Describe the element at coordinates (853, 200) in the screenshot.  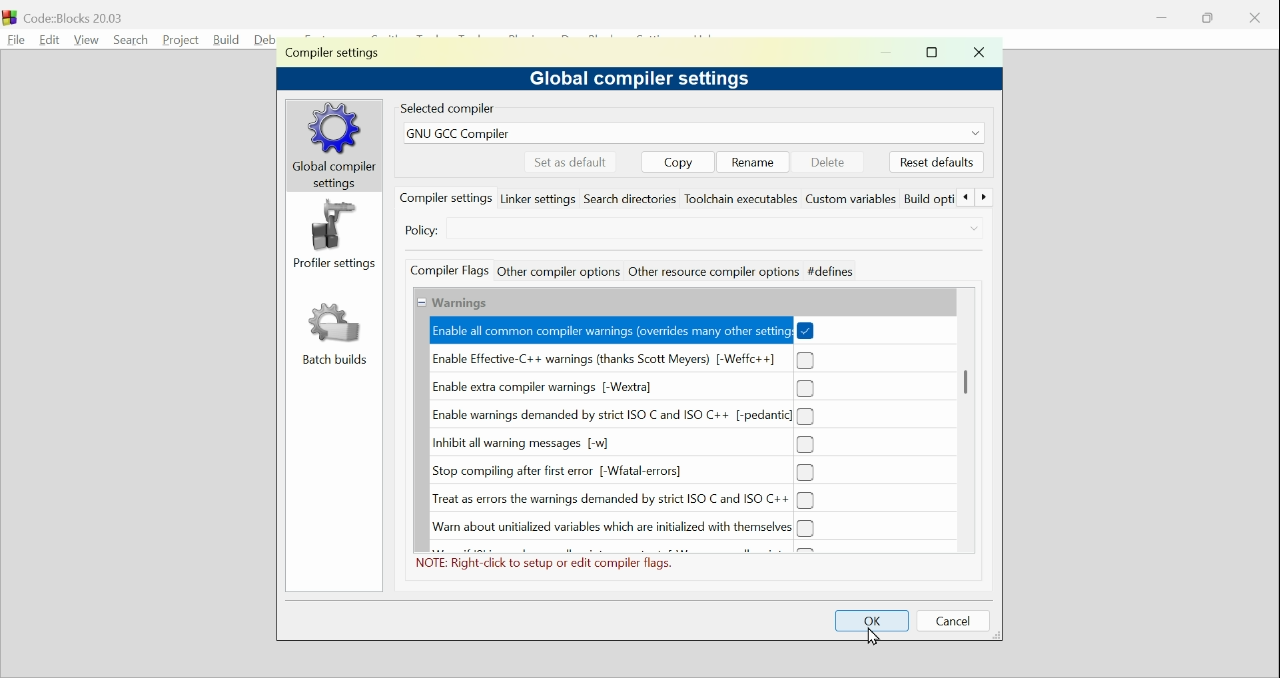
I see `Custom variables` at that location.